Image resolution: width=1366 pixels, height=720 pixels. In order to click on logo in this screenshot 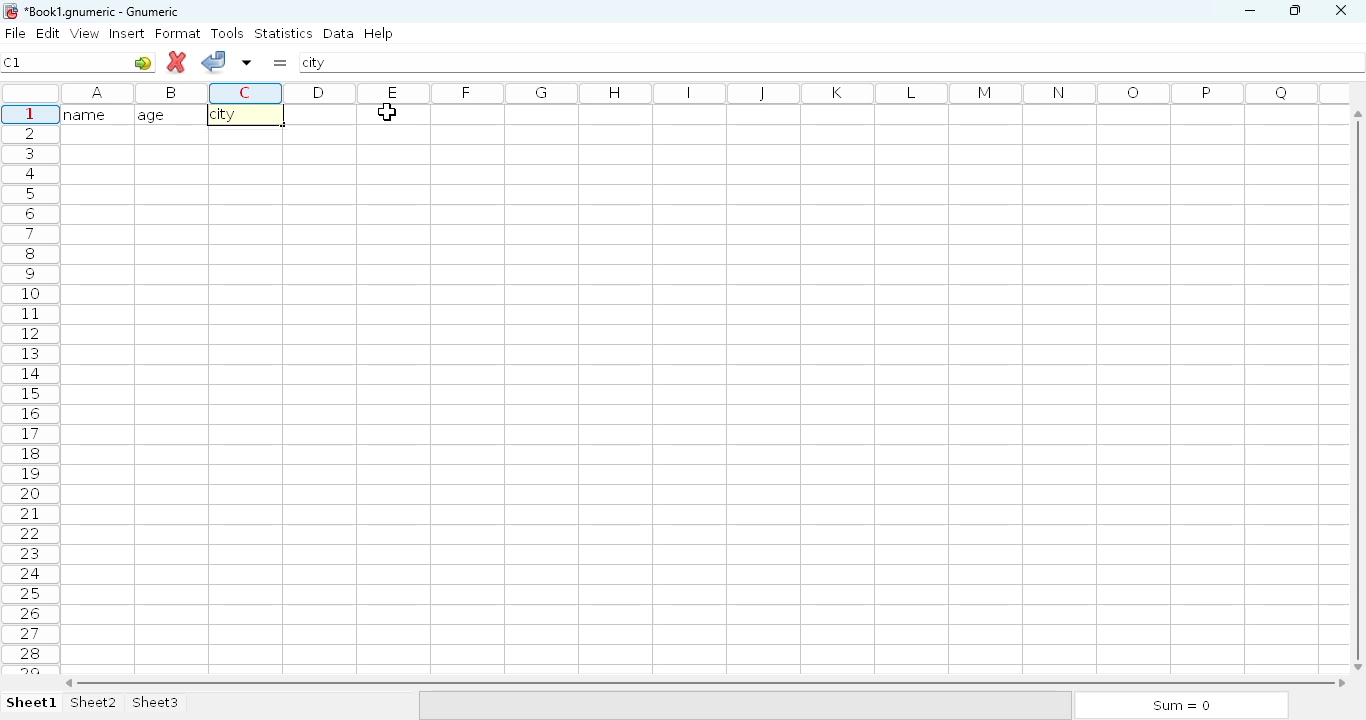, I will do `click(9, 11)`.